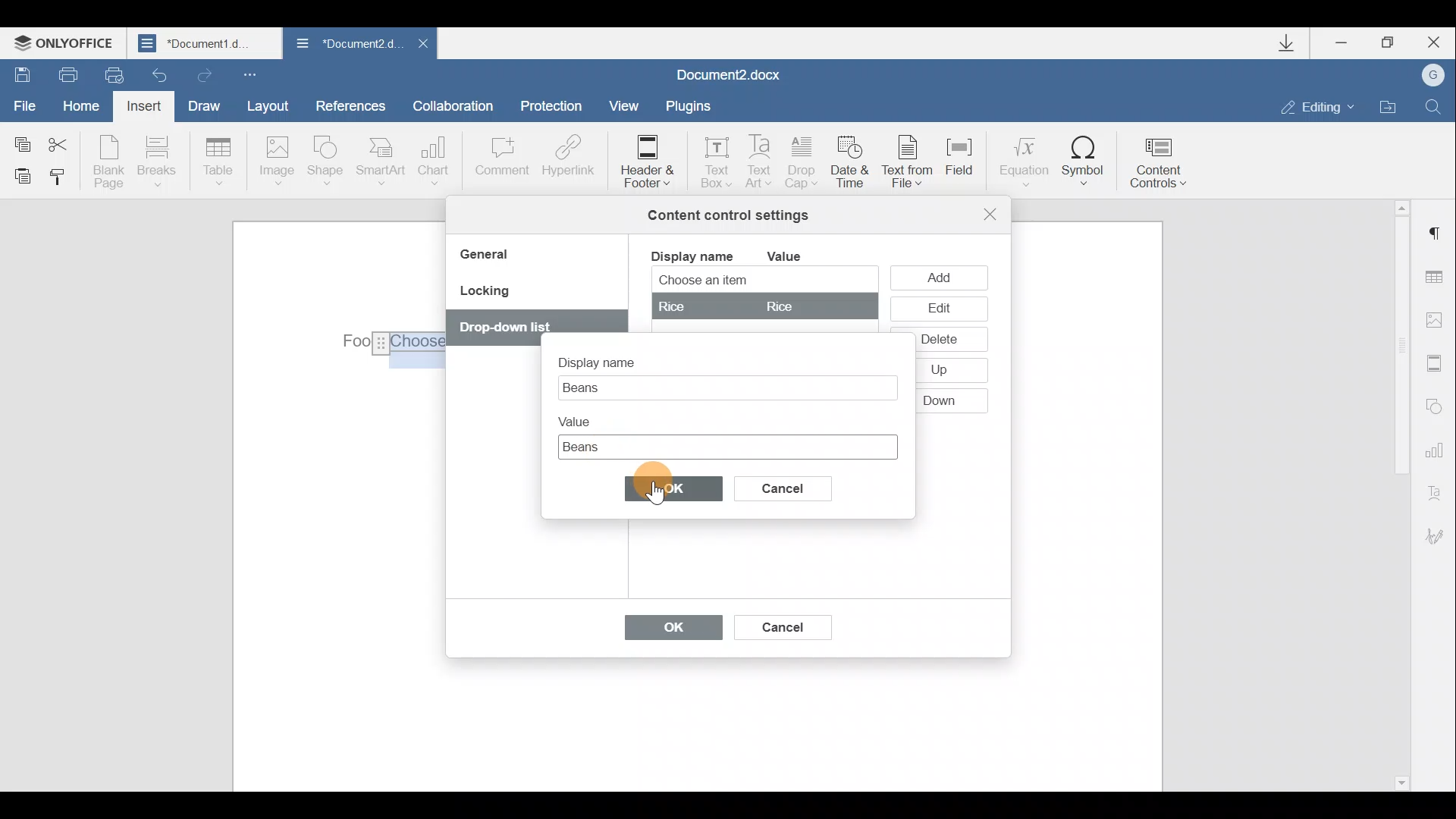 Image resolution: width=1456 pixels, height=819 pixels. Describe the element at coordinates (646, 160) in the screenshot. I see `Header & footer` at that location.